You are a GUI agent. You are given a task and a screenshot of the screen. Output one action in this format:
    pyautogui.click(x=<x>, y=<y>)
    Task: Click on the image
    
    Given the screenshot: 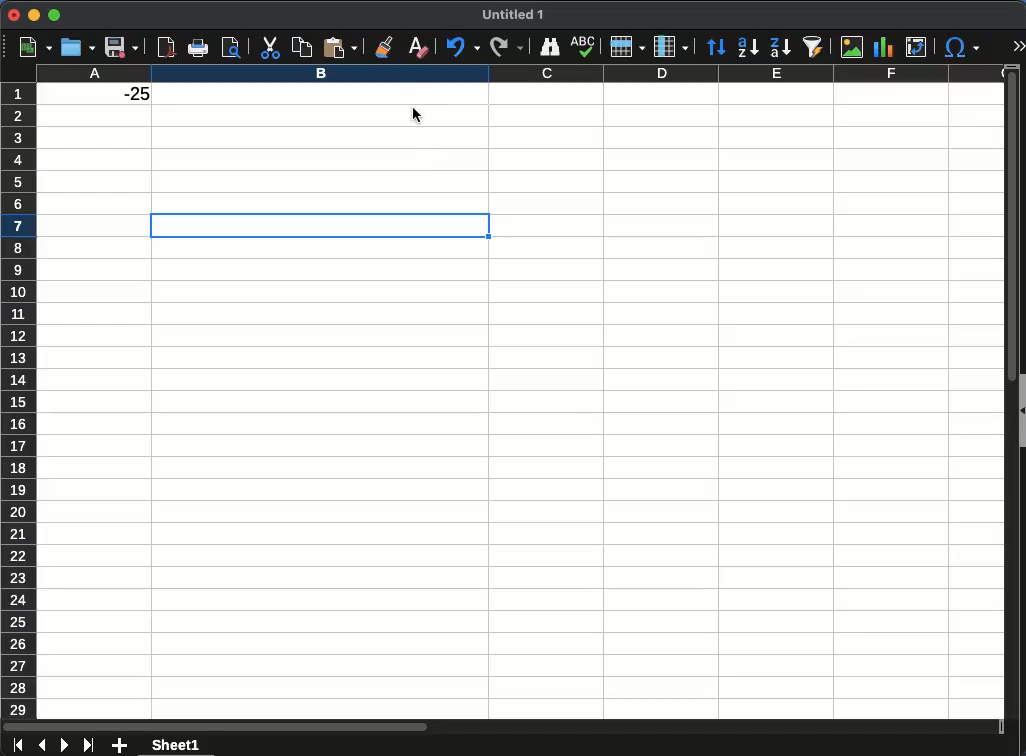 What is the action you would take?
    pyautogui.click(x=853, y=46)
    